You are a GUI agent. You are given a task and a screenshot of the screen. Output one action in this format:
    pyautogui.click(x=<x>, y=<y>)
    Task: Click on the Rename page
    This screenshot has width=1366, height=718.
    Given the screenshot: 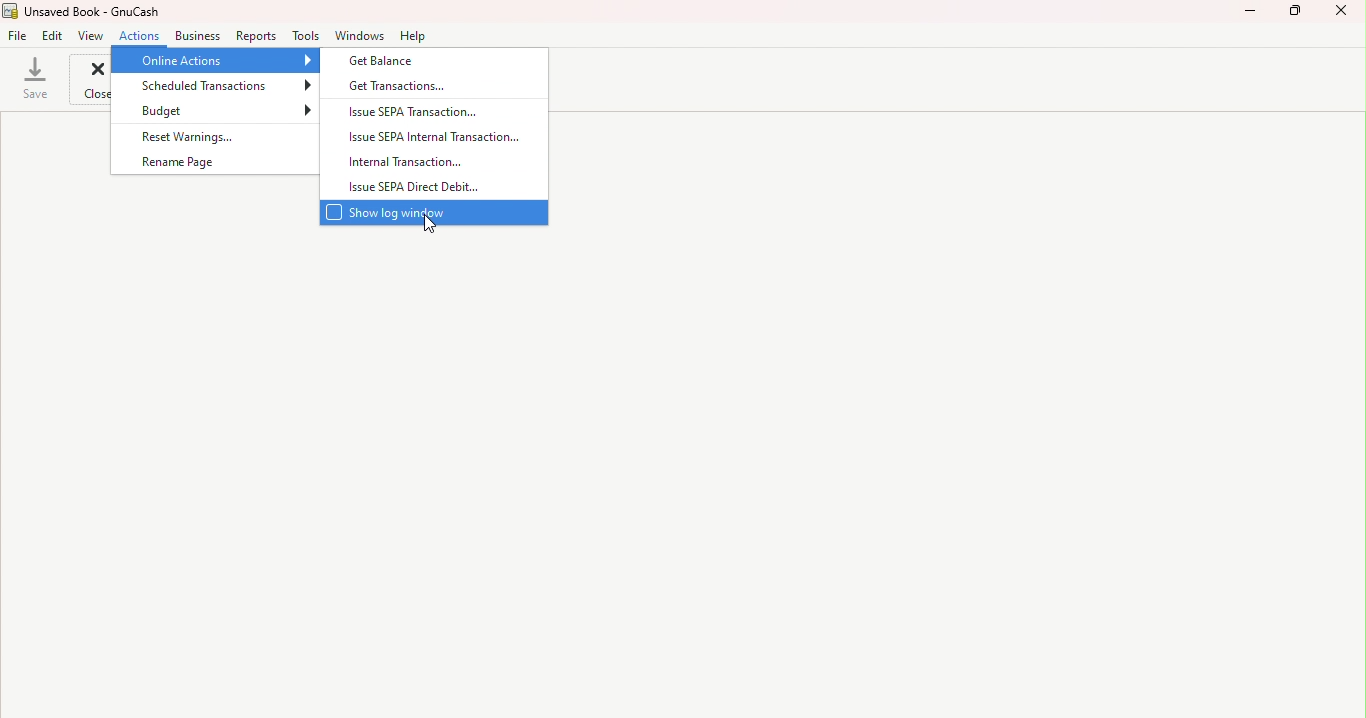 What is the action you would take?
    pyautogui.click(x=211, y=162)
    